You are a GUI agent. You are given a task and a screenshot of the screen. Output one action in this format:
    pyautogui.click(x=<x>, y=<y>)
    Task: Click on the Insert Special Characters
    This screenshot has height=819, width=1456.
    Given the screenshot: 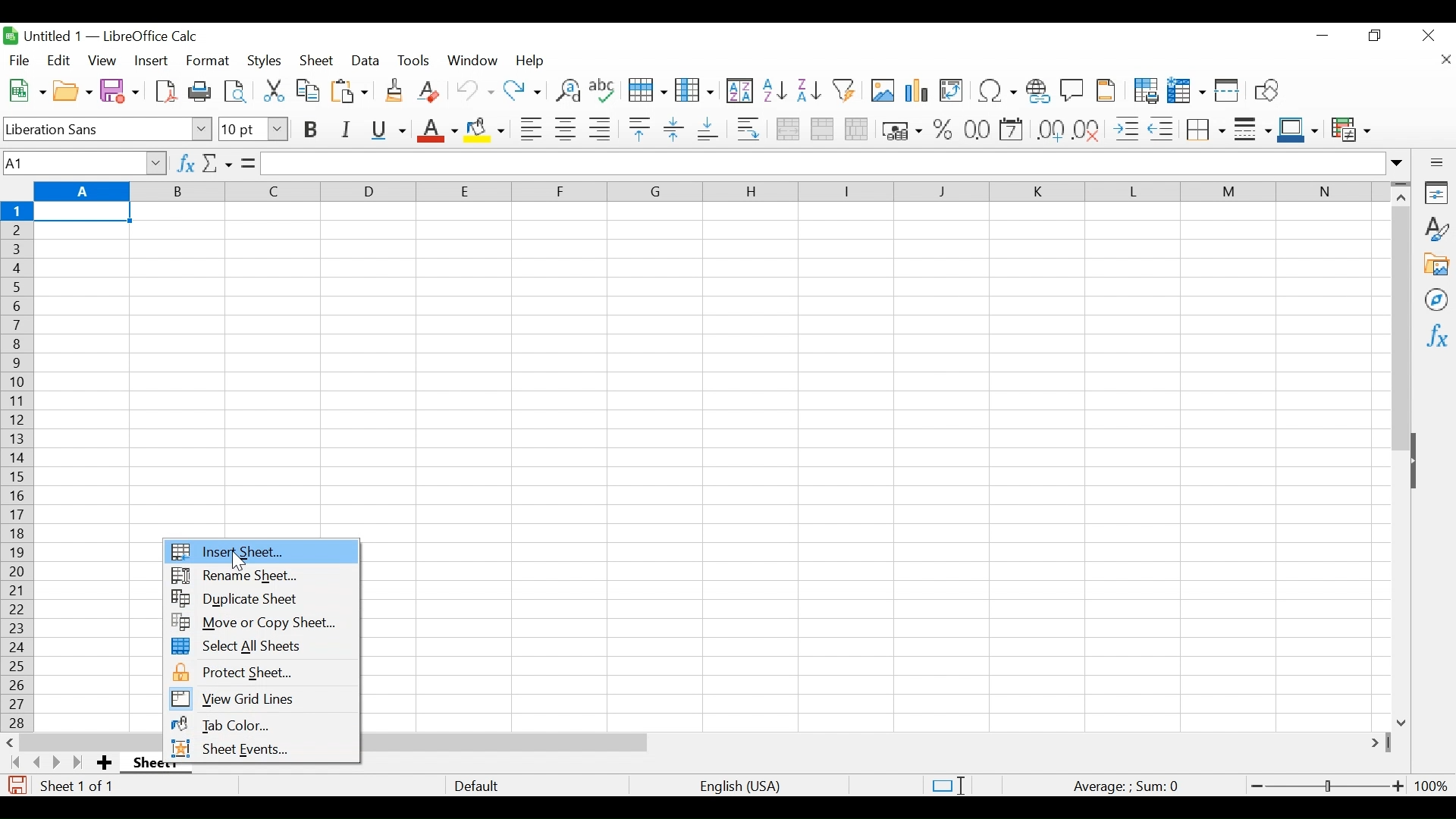 What is the action you would take?
    pyautogui.click(x=996, y=91)
    